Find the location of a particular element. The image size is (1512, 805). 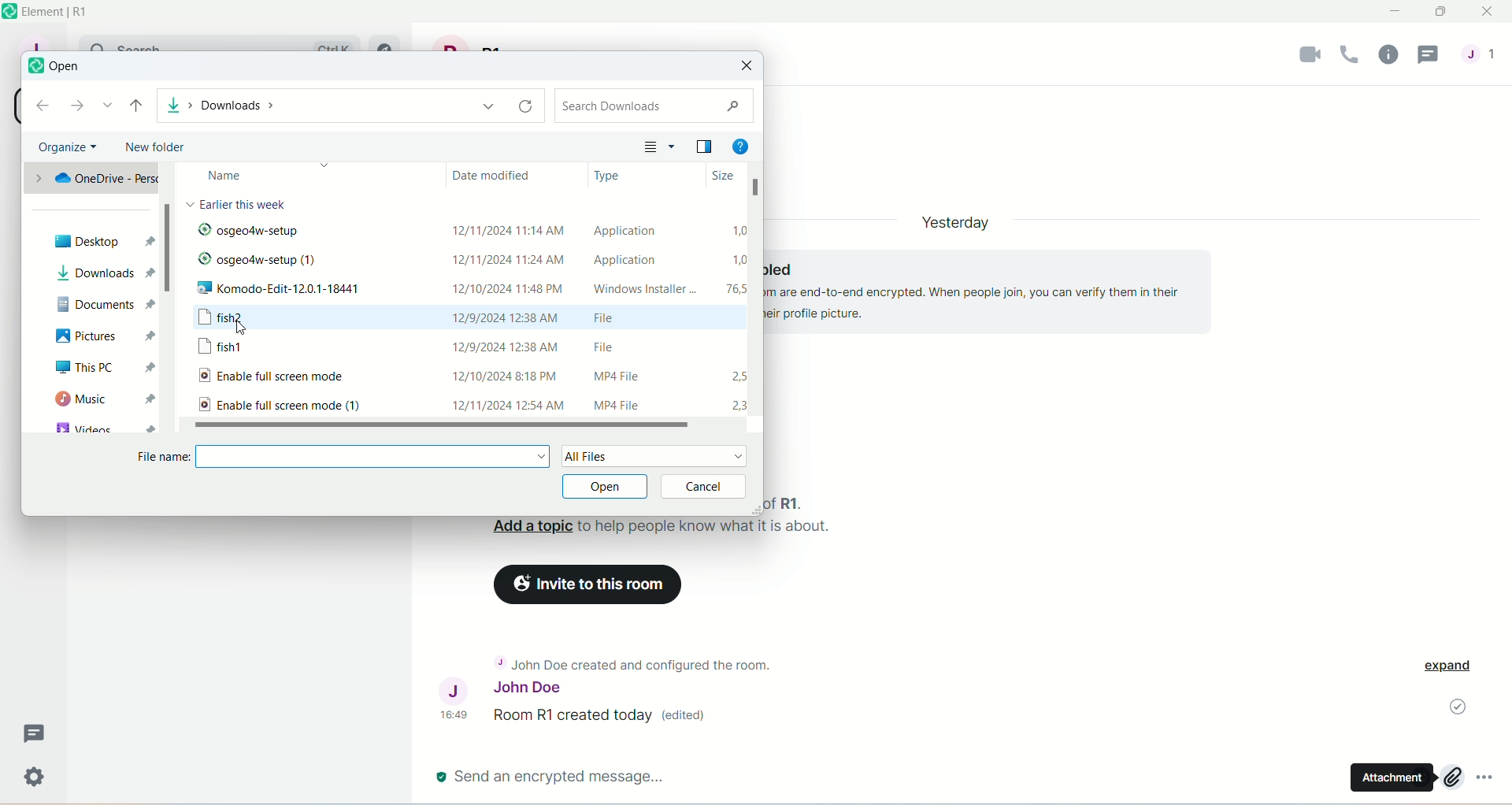

Settings is located at coordinates (39, 781).